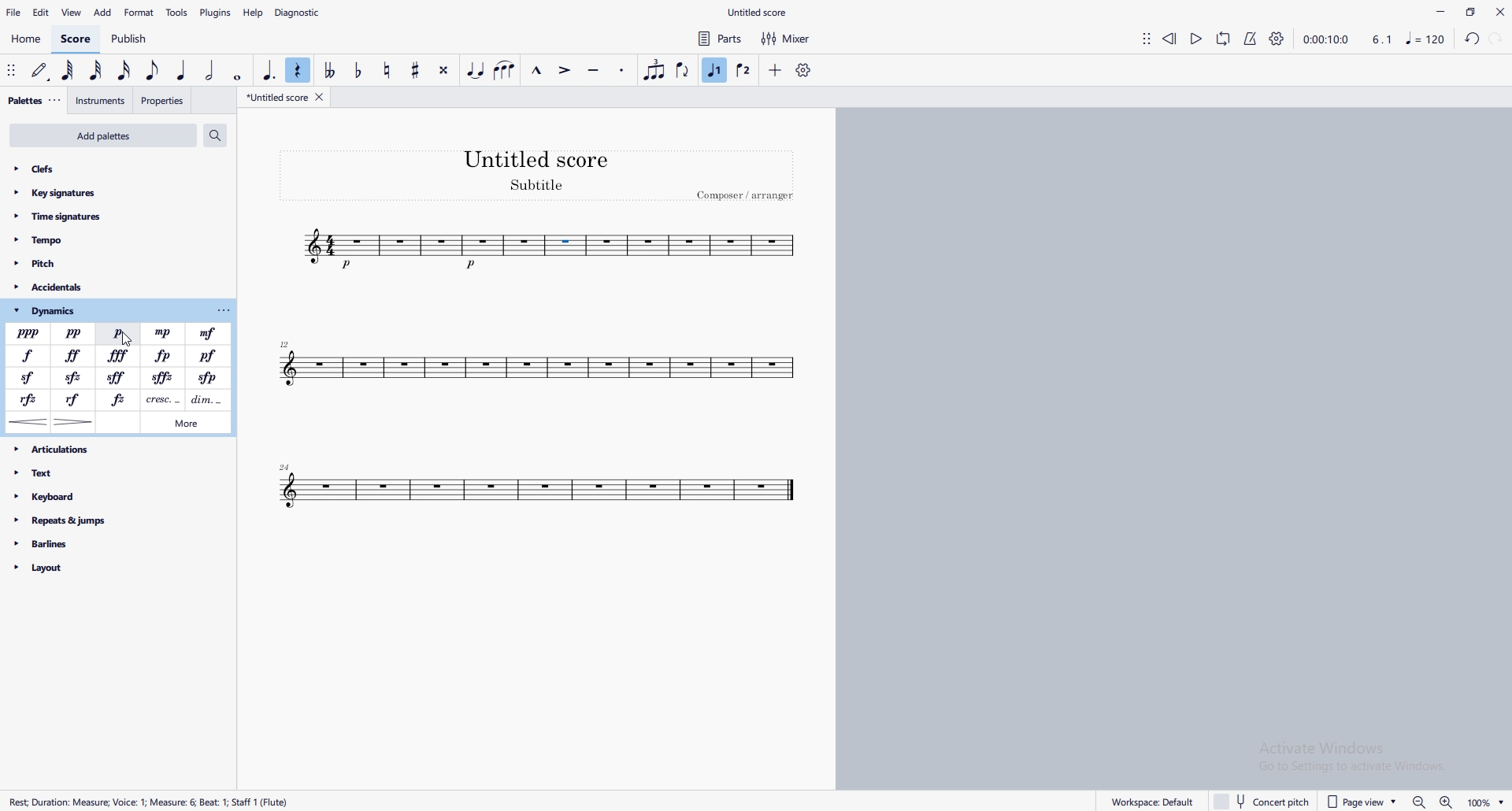 The width and height of the screenshot is (1512, 811). Describe the element at coordinates (214, 135) in the screenshot. I see `search` at that location.